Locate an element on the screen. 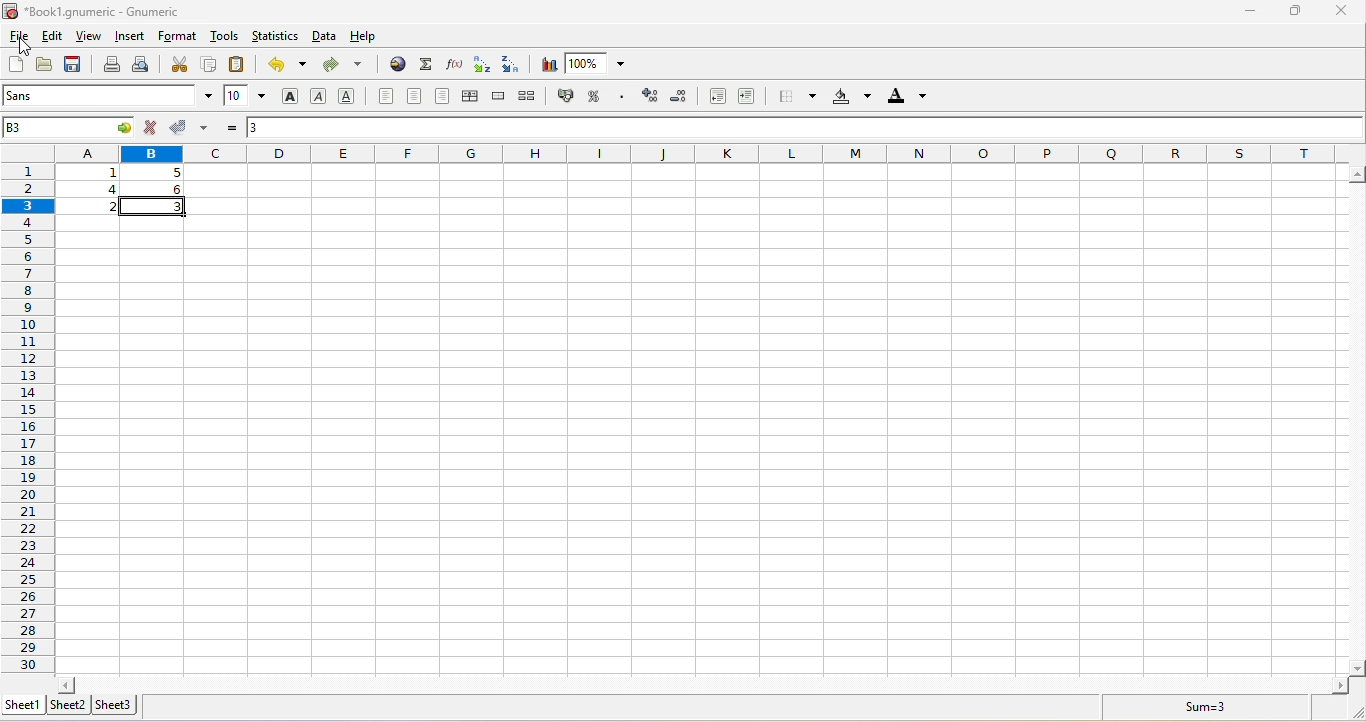  cut is located at coordinates (180, 66).